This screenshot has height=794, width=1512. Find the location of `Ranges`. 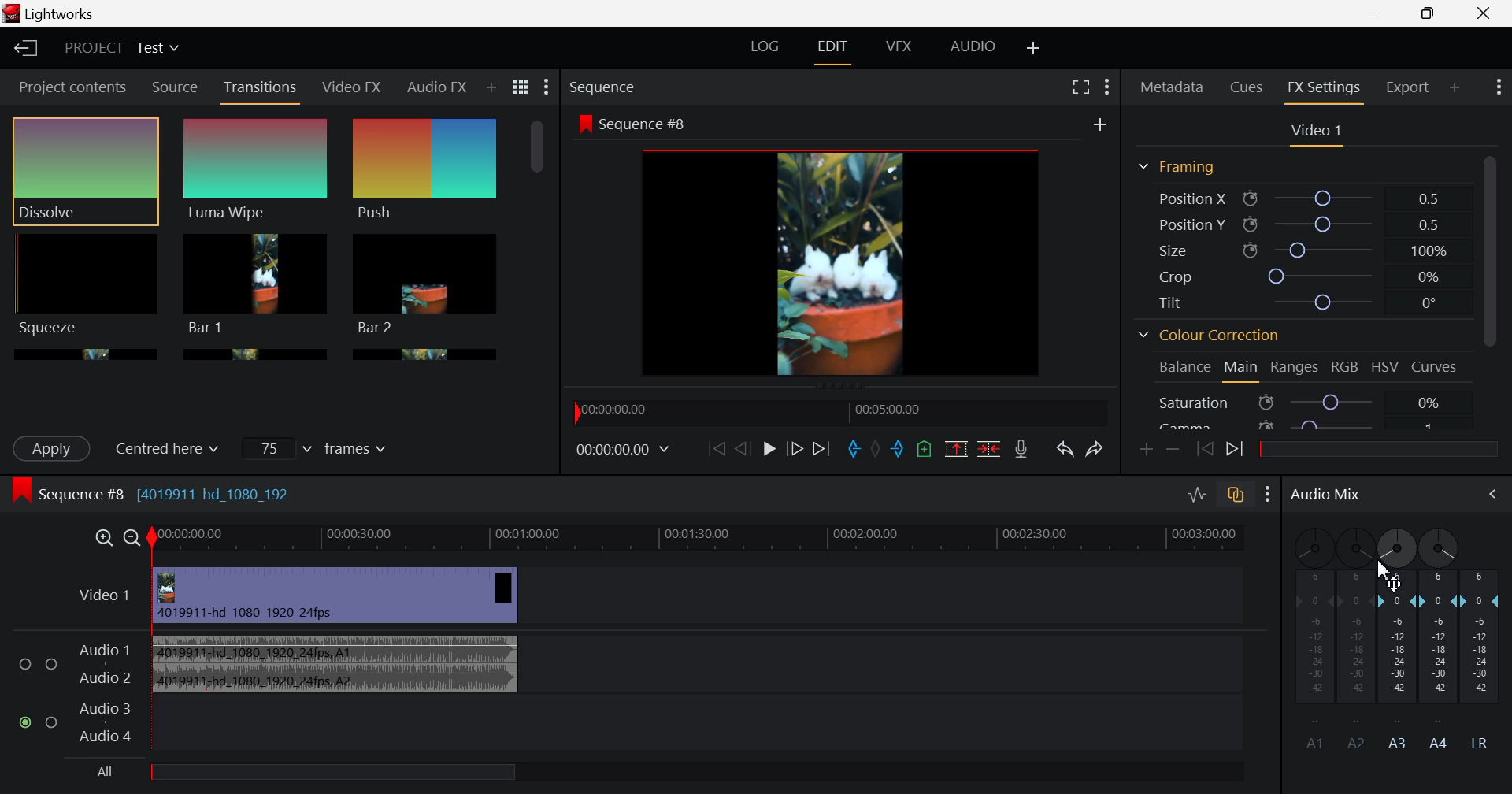

Ranges is located at coordinates (1295, 368).